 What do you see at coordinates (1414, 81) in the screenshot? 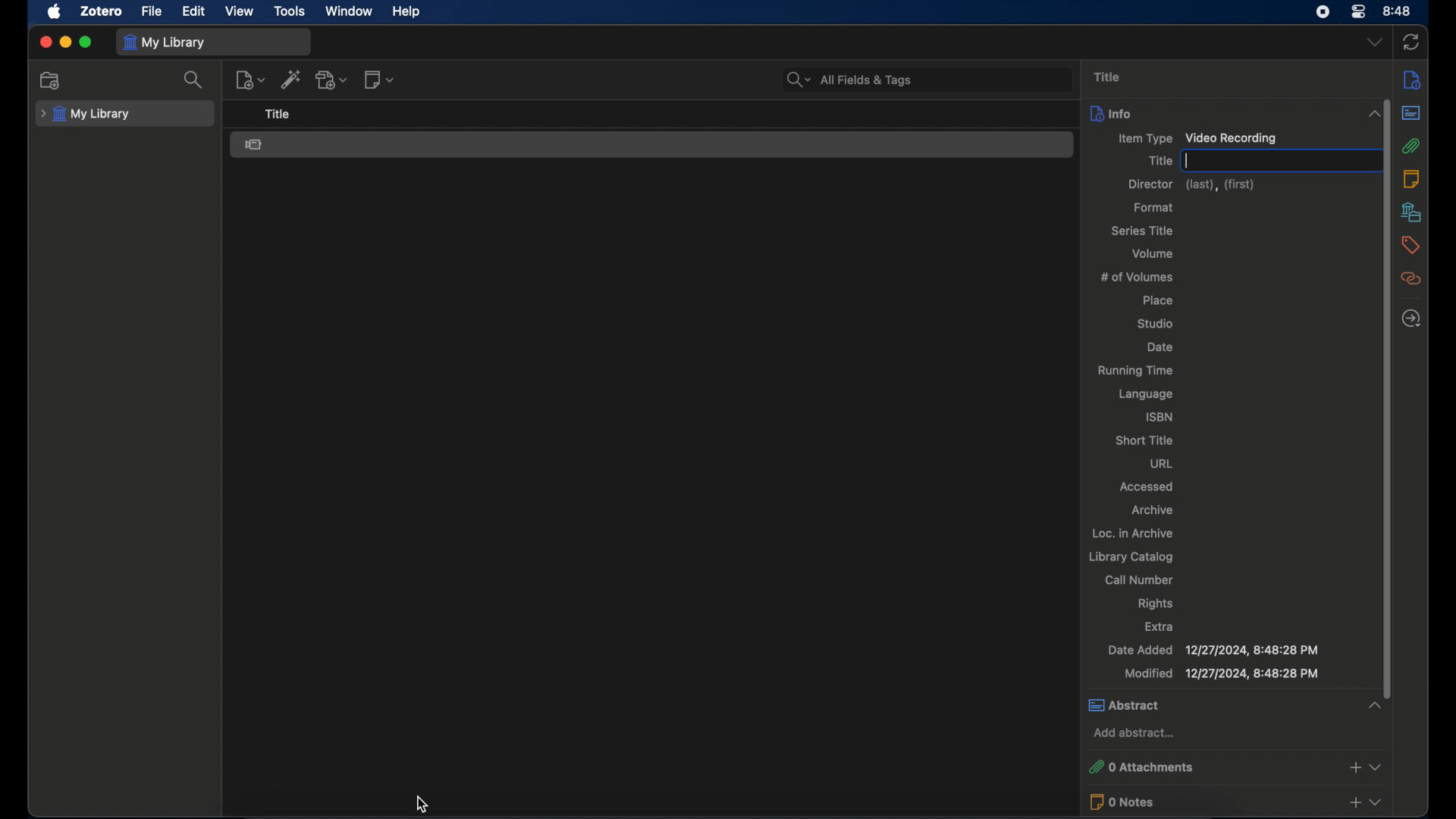
I see `info` at bounding box center [1414, 81].